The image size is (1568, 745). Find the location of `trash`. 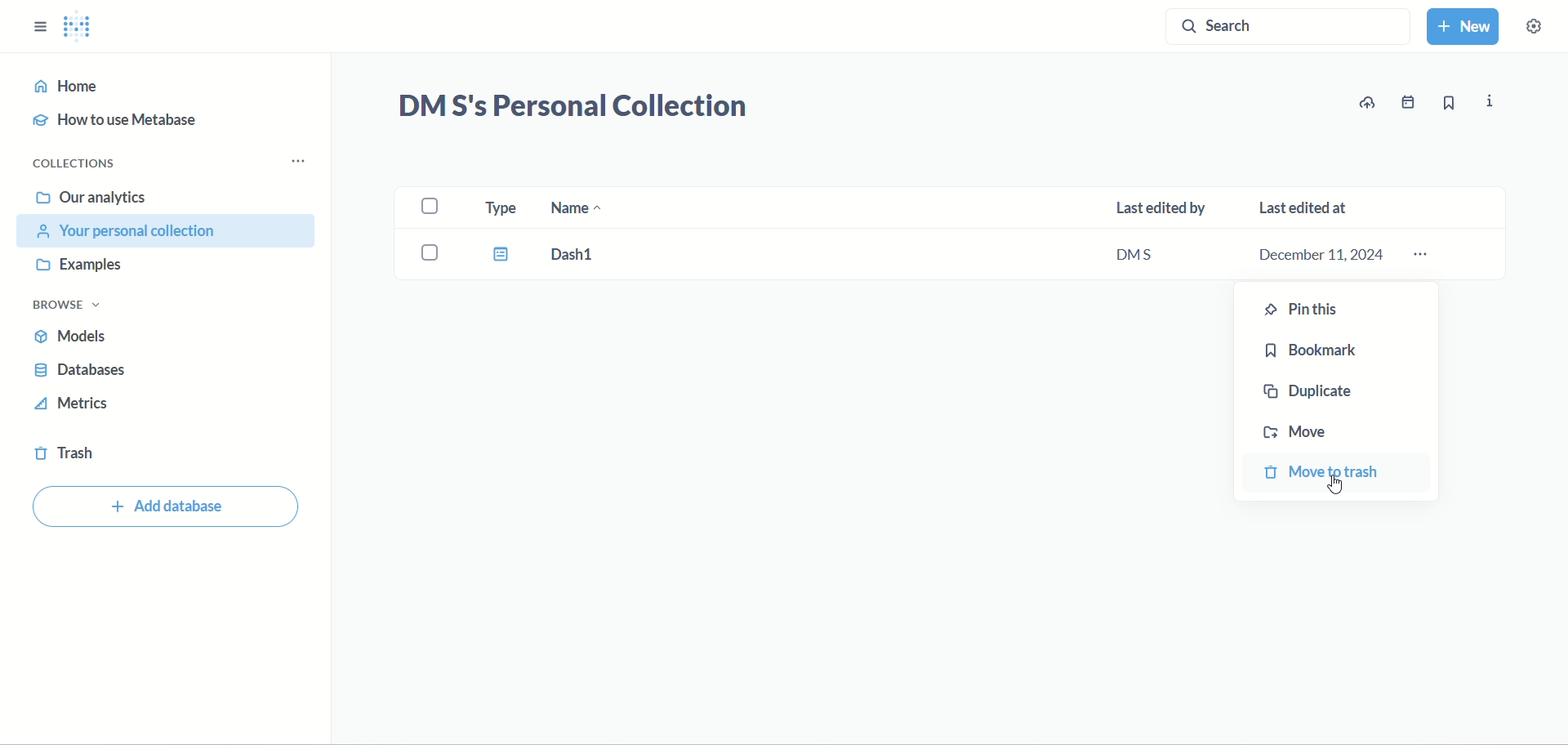

trash is located at coordinates (69, 457).